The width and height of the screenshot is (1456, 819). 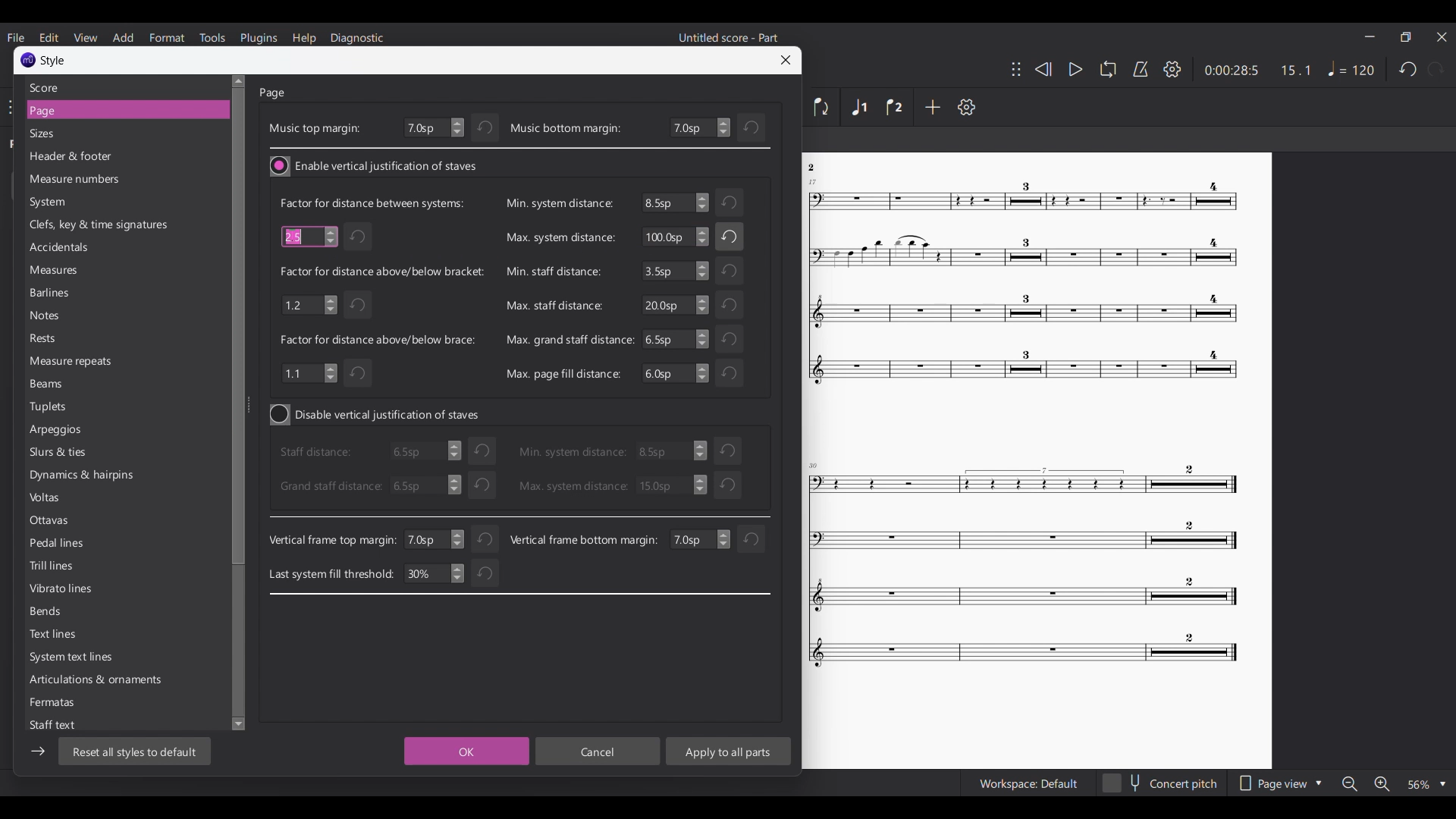 What do you see at coordinates (732, 304) in the screenshot?
I see `Undo` at bounding box center [732, 304].